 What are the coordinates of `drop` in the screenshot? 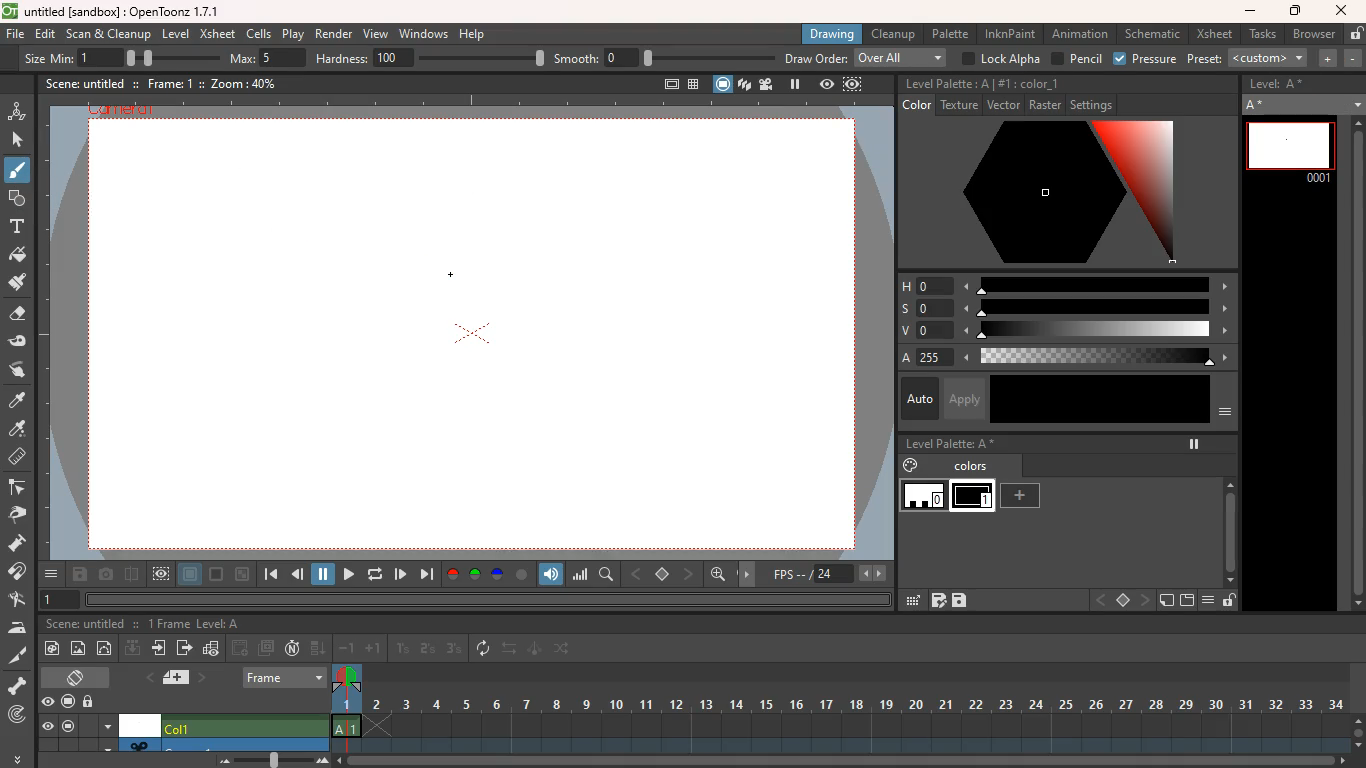 It's located at (19, 430).